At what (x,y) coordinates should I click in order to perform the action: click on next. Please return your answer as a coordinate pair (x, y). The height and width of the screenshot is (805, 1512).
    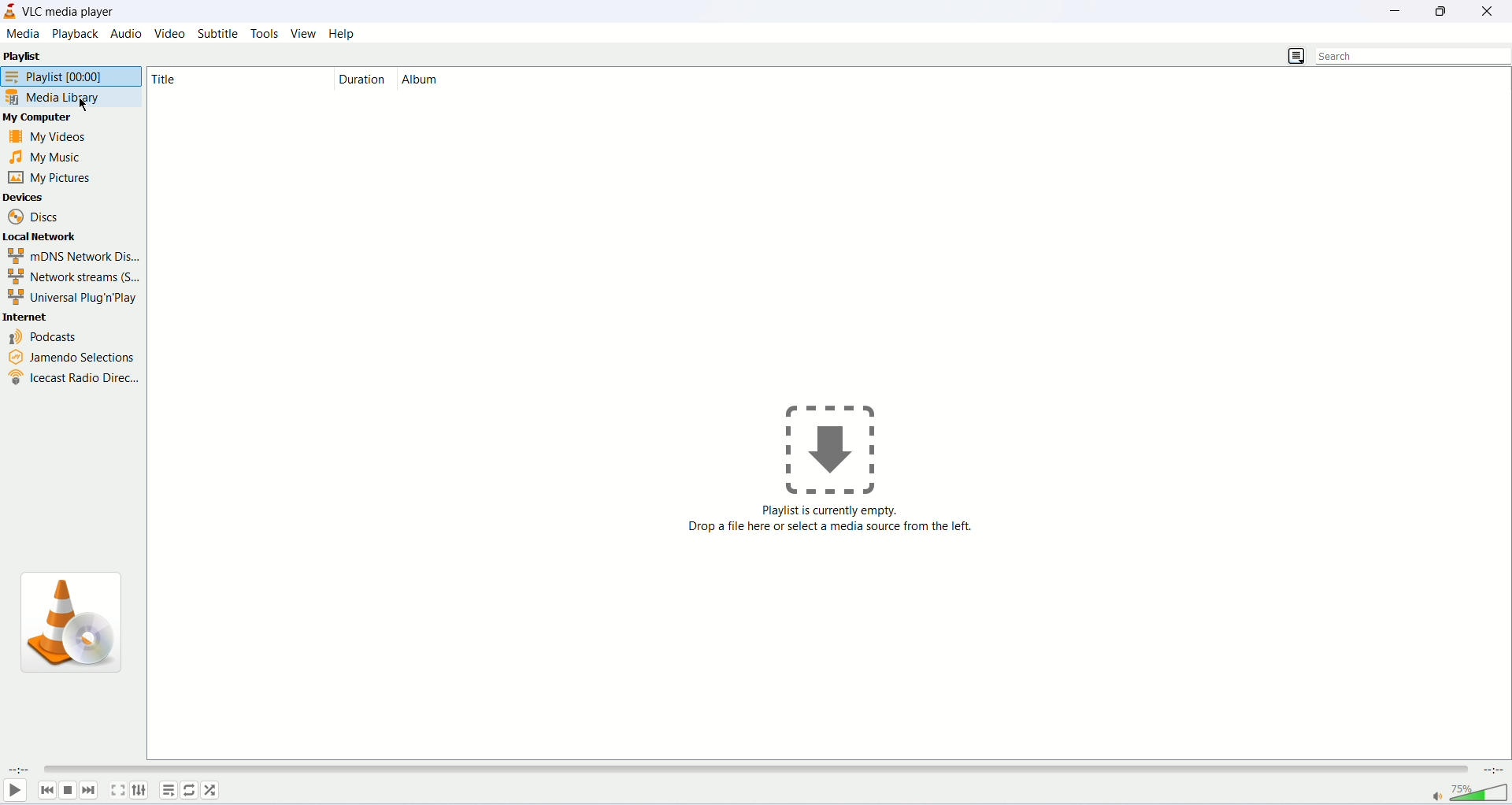
    Looking at the image, I should click on (91, 791).